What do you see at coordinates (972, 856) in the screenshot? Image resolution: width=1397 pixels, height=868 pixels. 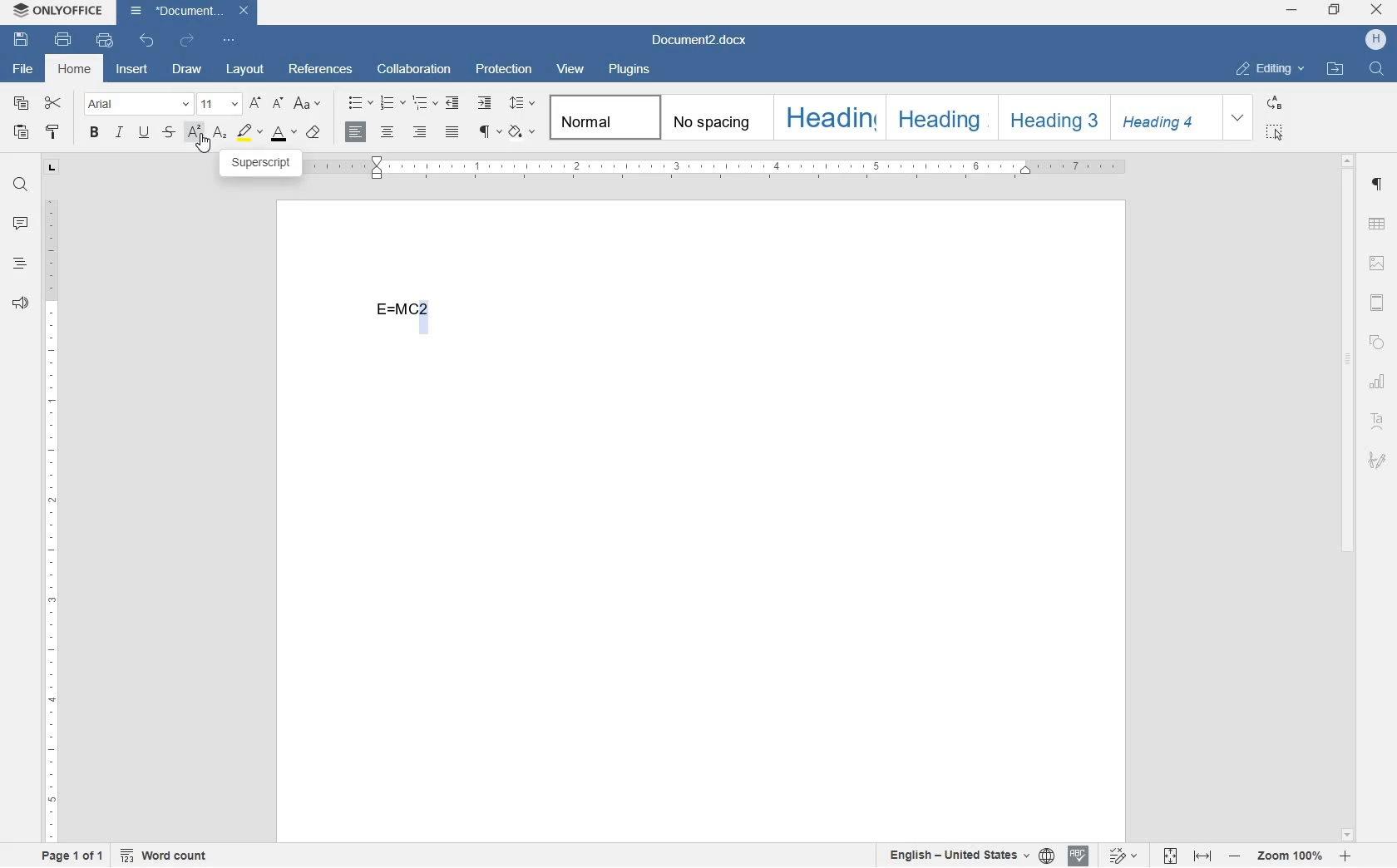 I see `text or document language` at bounding box center [972, 856].